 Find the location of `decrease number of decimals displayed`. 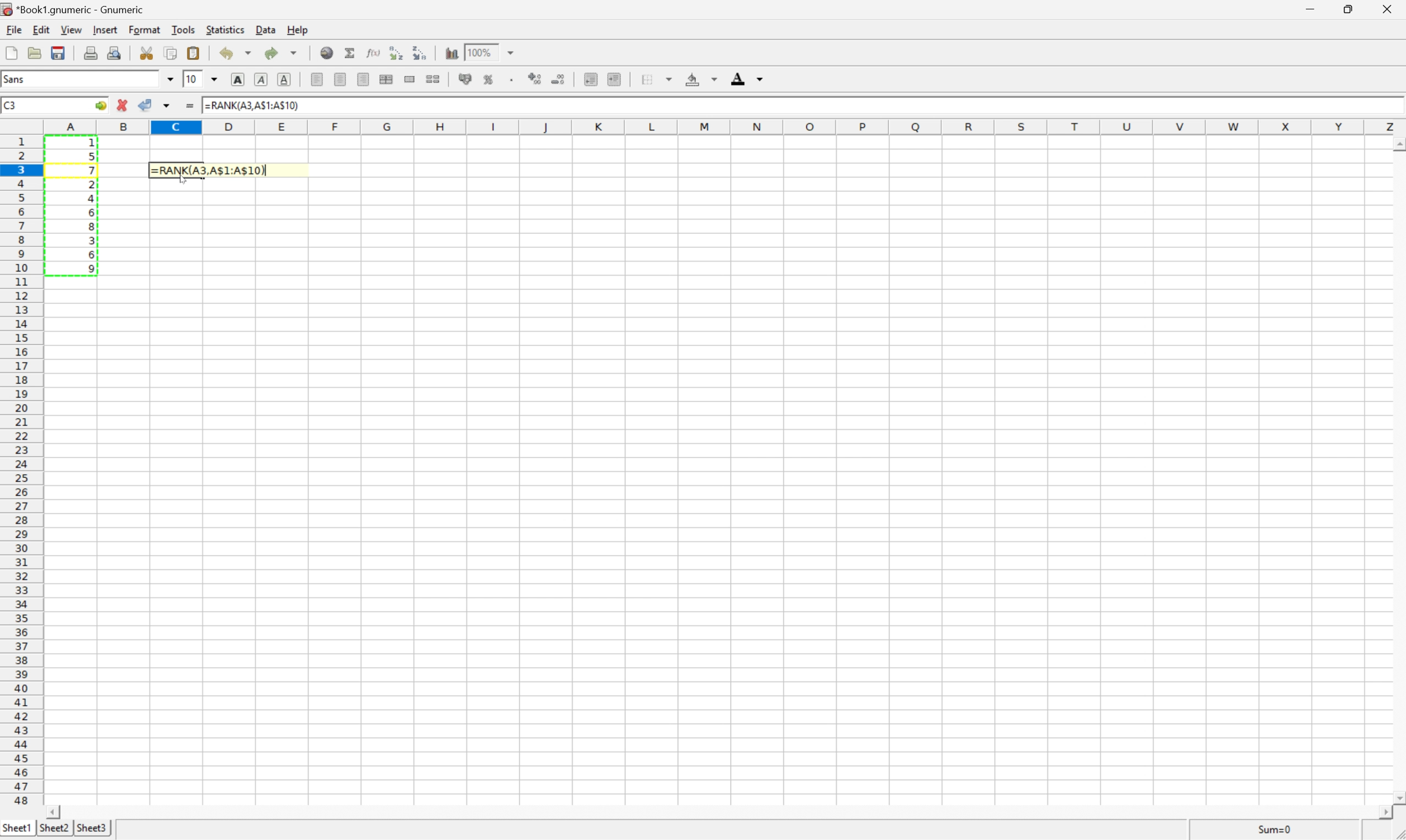

decrease number of decimals displayed is located at coordinates (561, 79).